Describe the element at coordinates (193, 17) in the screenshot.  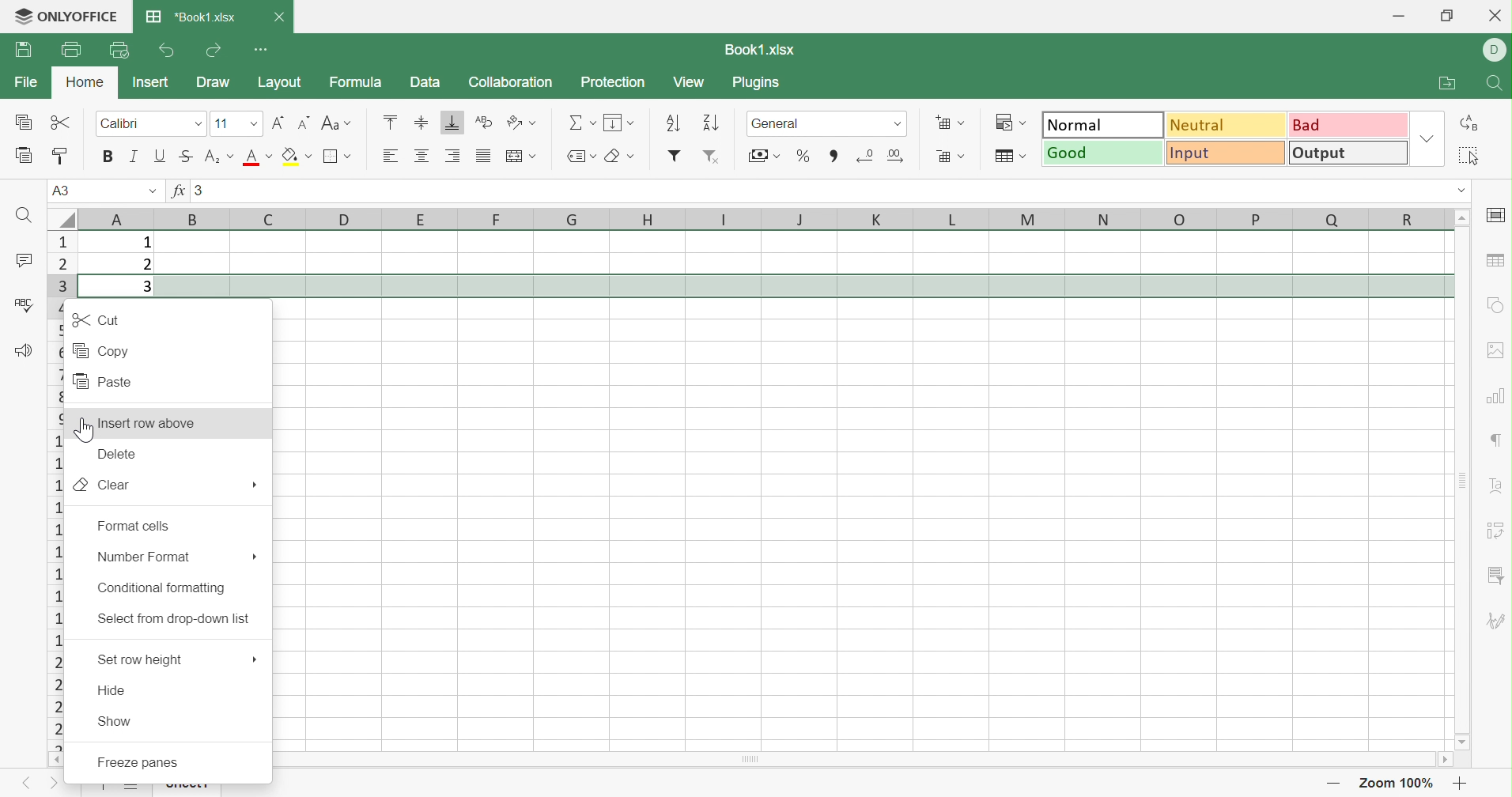
I see `*Book1.xlsx` at that location.